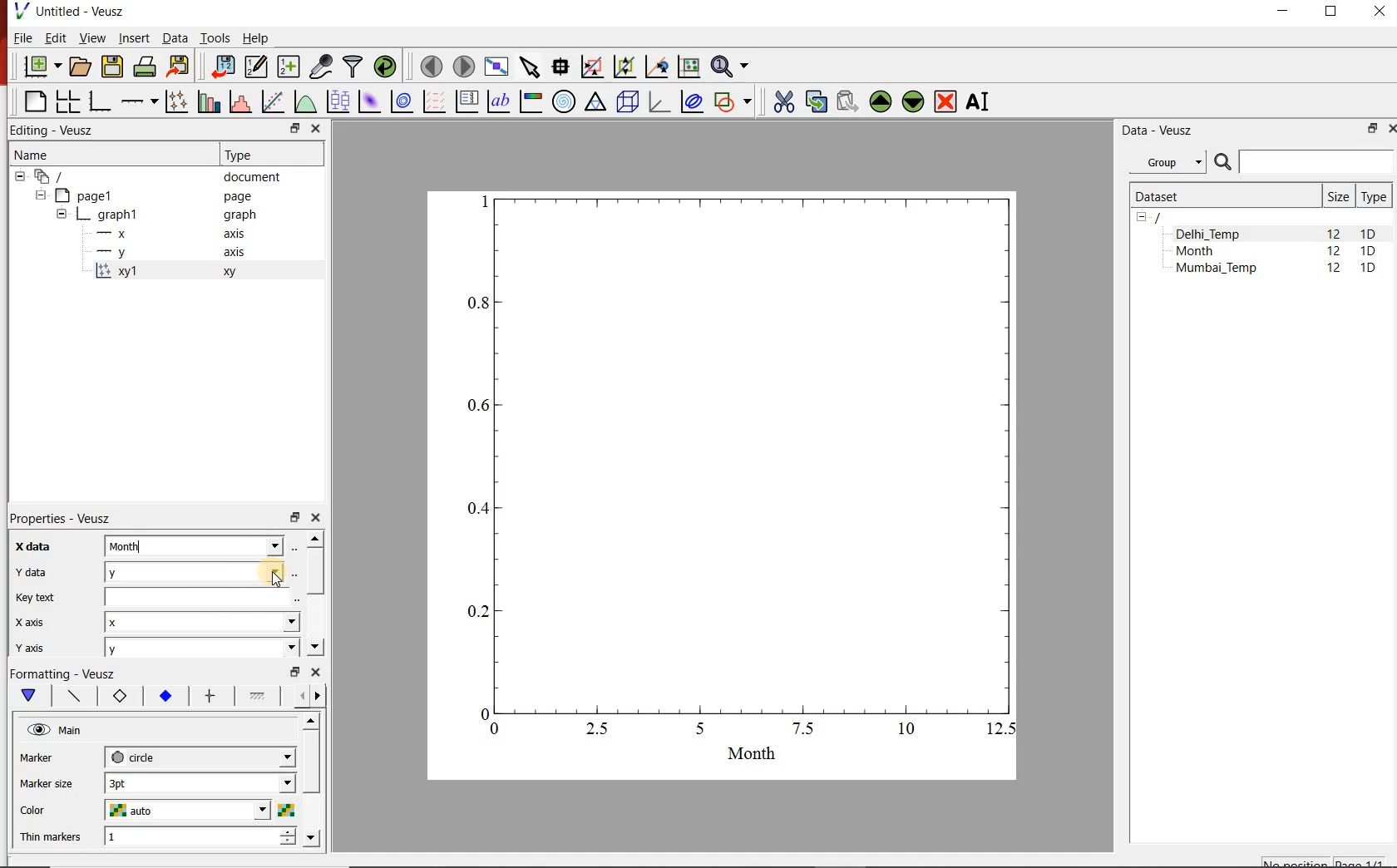  What do you see at coordinates (74, 11) in the screenshot?
I see `Untitled-Veusz` at bounding box center [74, 11].